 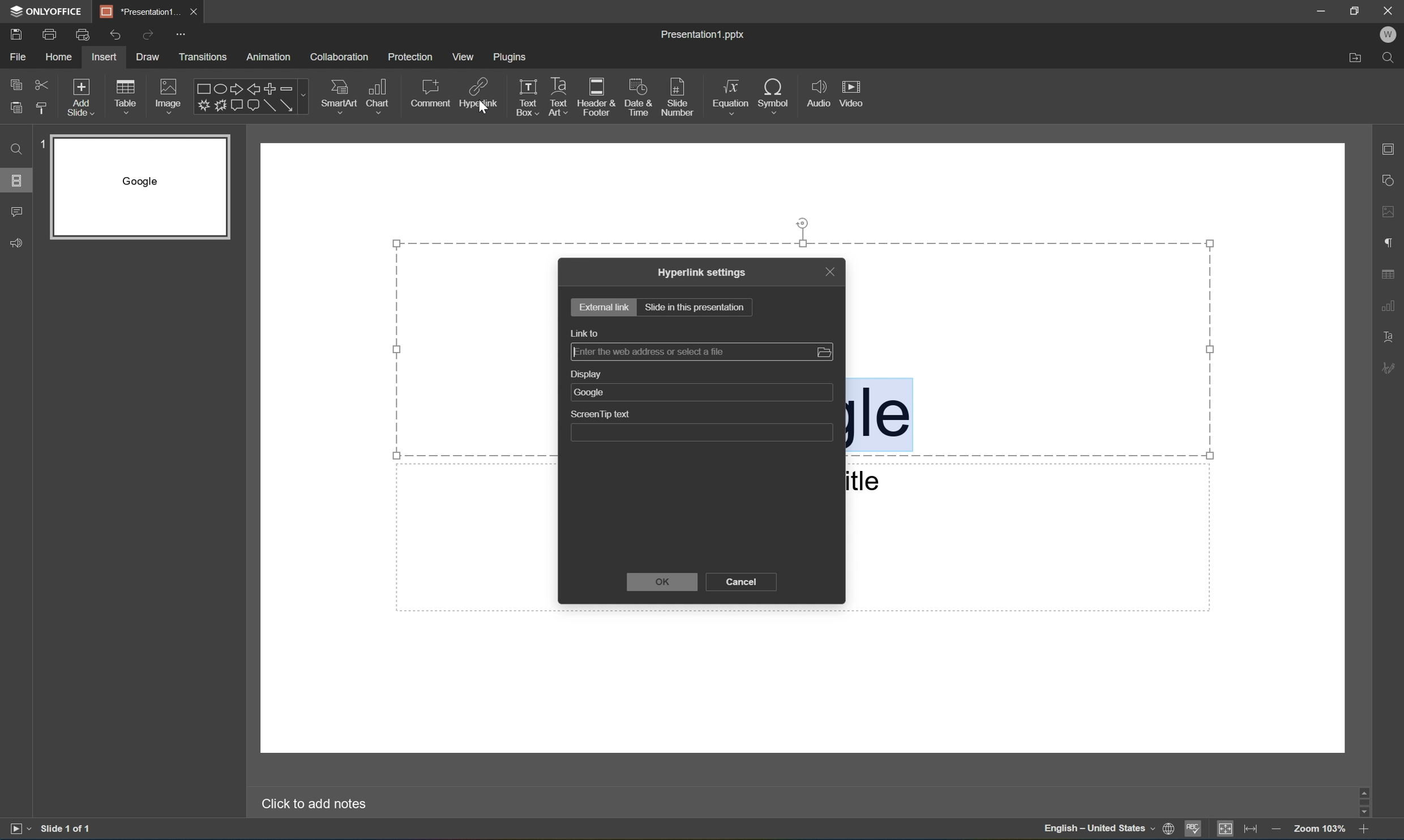 What do you see at coordinates (850, 92) in the screenshot?
I see `Video` at bounding box center [850, 92].